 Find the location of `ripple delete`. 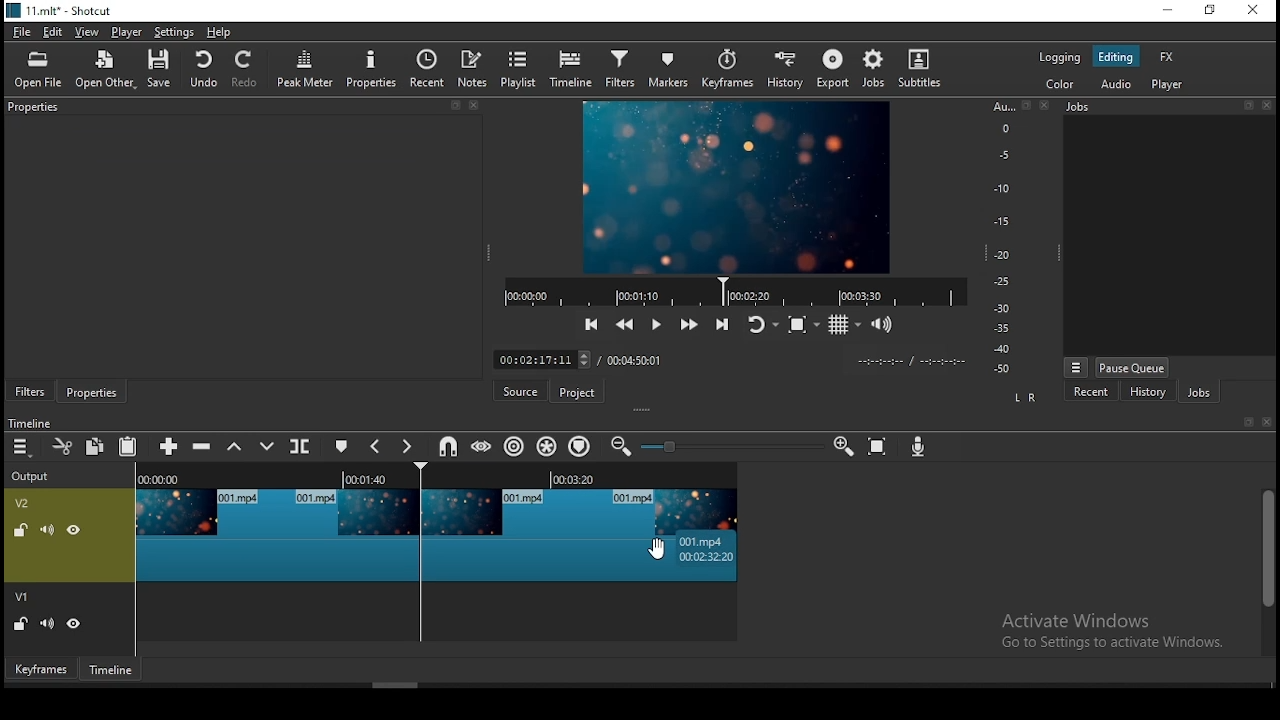

ripple delete is located at coordinates (205, 445).